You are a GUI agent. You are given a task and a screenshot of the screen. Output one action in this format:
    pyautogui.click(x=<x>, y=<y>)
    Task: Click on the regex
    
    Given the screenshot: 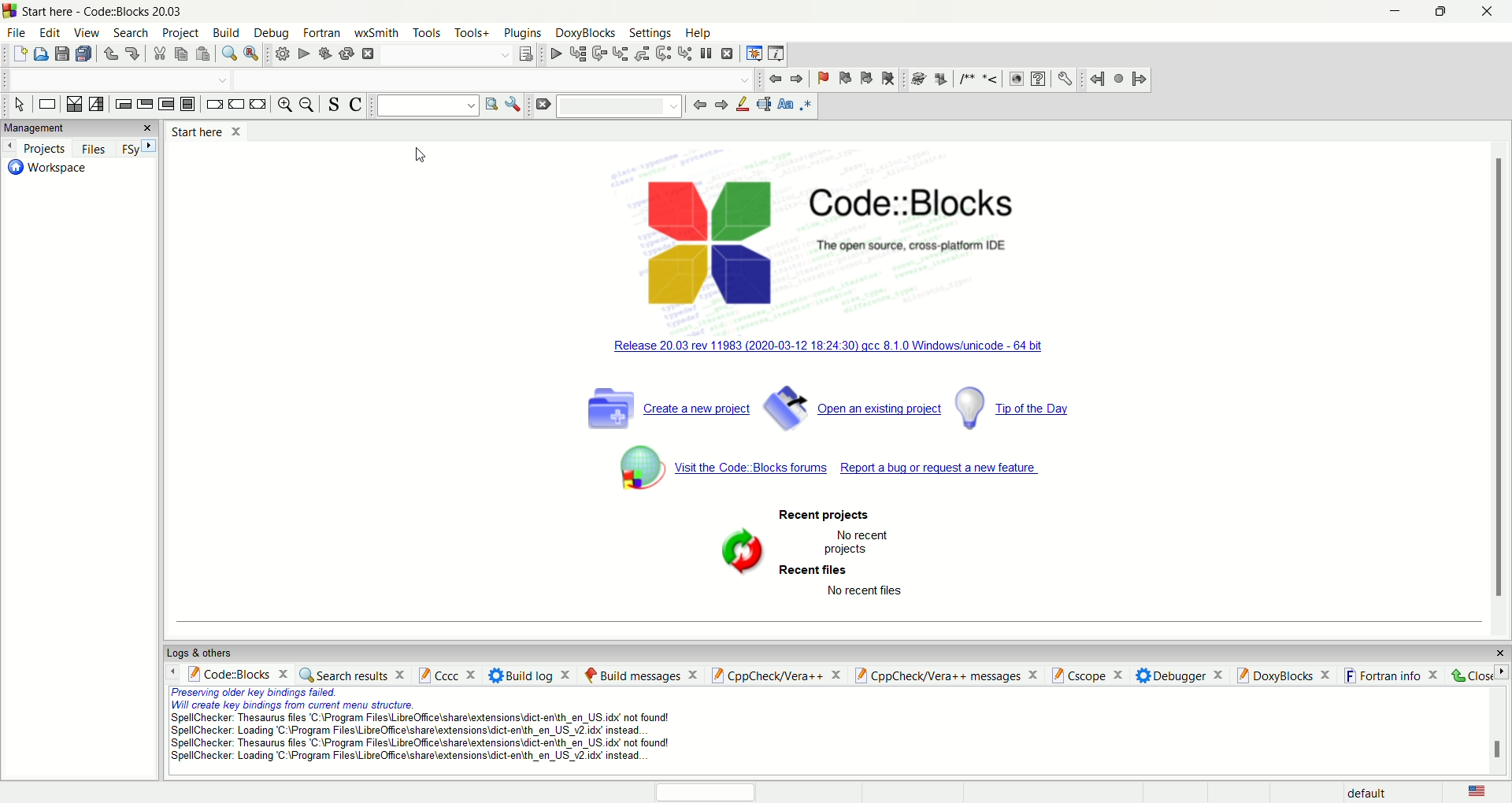 What is the action you would take?
    pyautogui.click(x=806, y=106)
    